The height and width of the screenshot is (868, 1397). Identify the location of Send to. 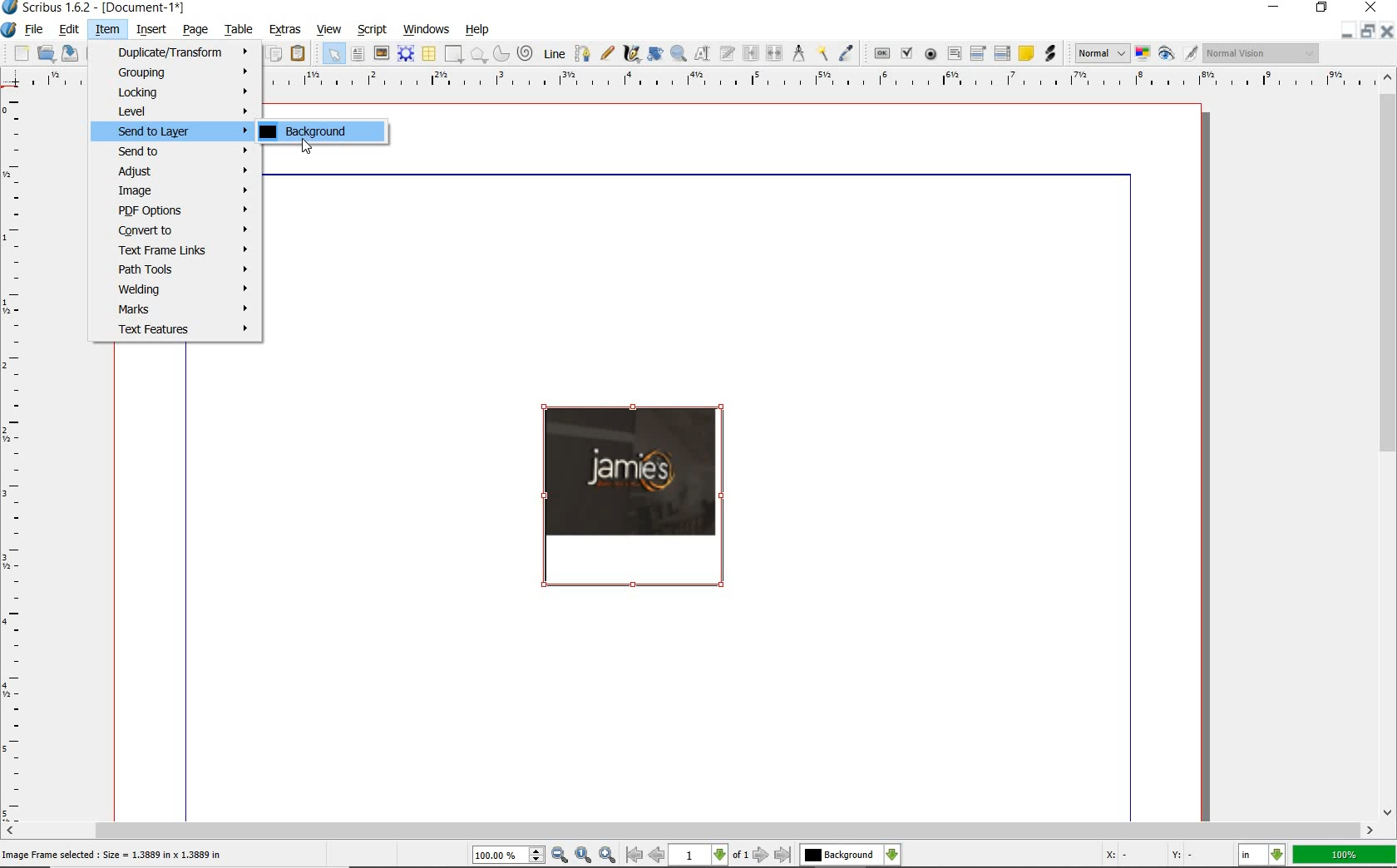
(173, 151).